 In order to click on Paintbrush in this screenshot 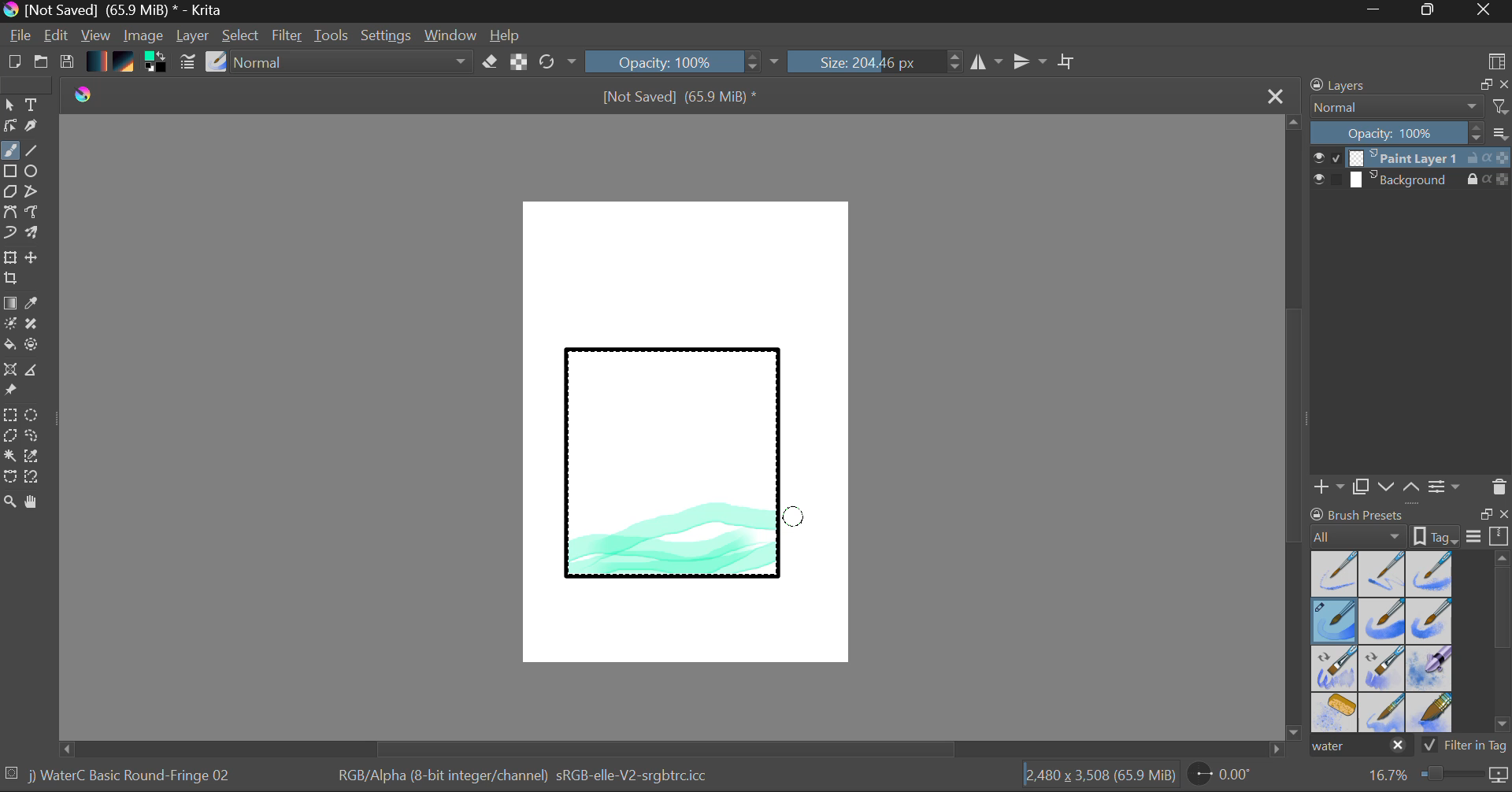, I will do `click(9, 152)`.